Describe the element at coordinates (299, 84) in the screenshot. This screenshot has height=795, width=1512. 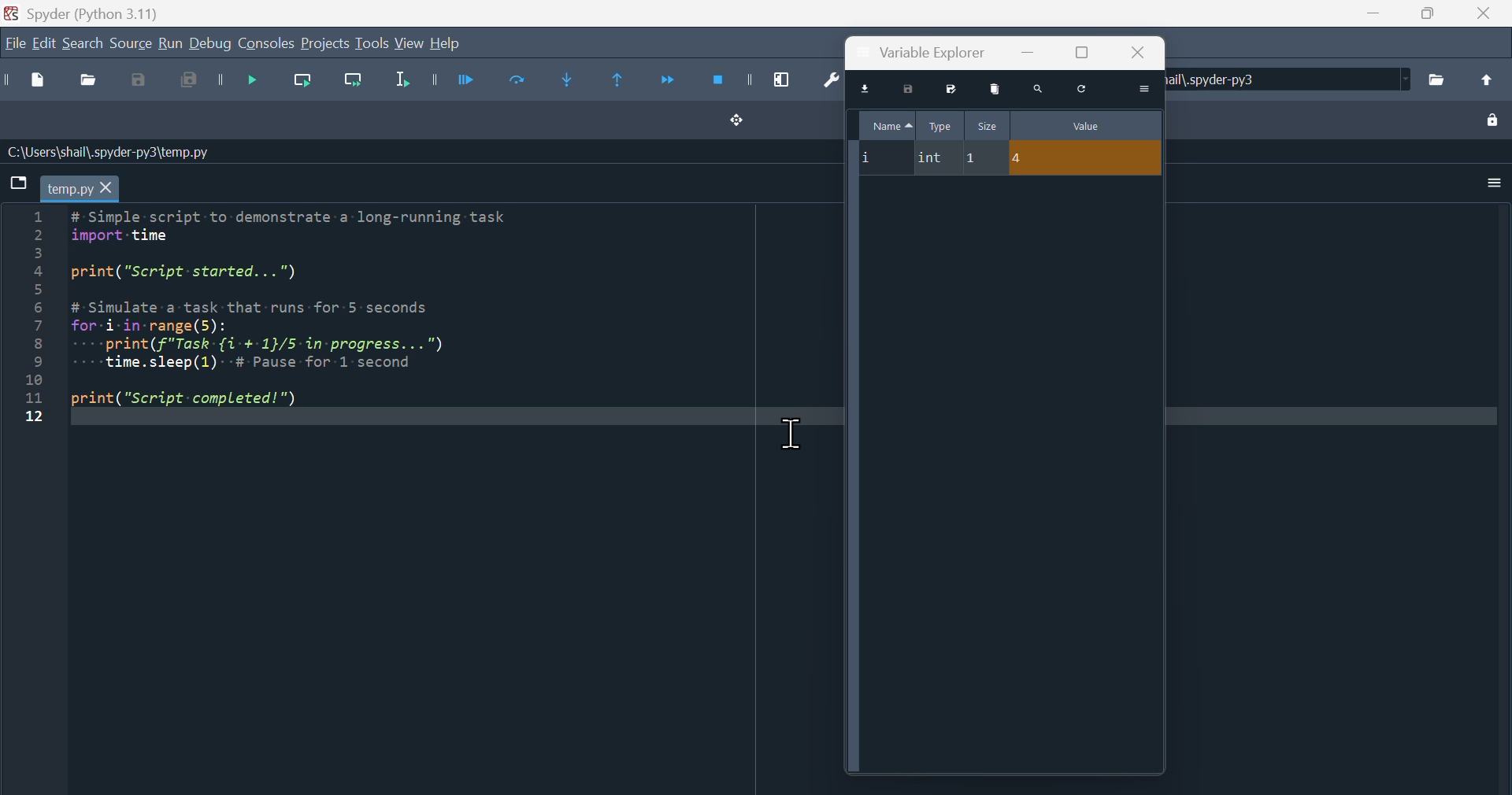
I see `Run current line` at that location.